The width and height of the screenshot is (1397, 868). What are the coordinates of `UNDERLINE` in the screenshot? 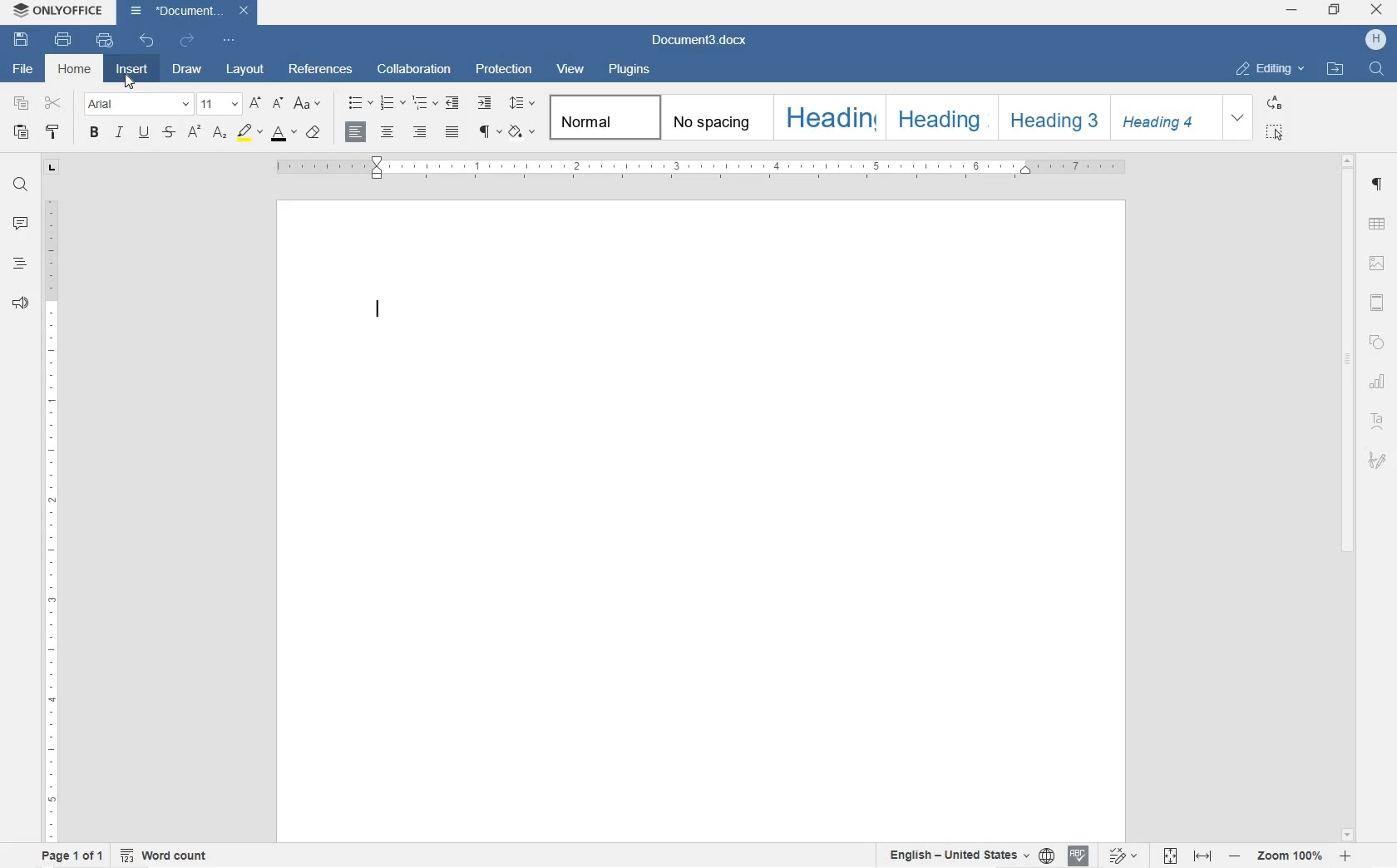 It's located at (143, 133).